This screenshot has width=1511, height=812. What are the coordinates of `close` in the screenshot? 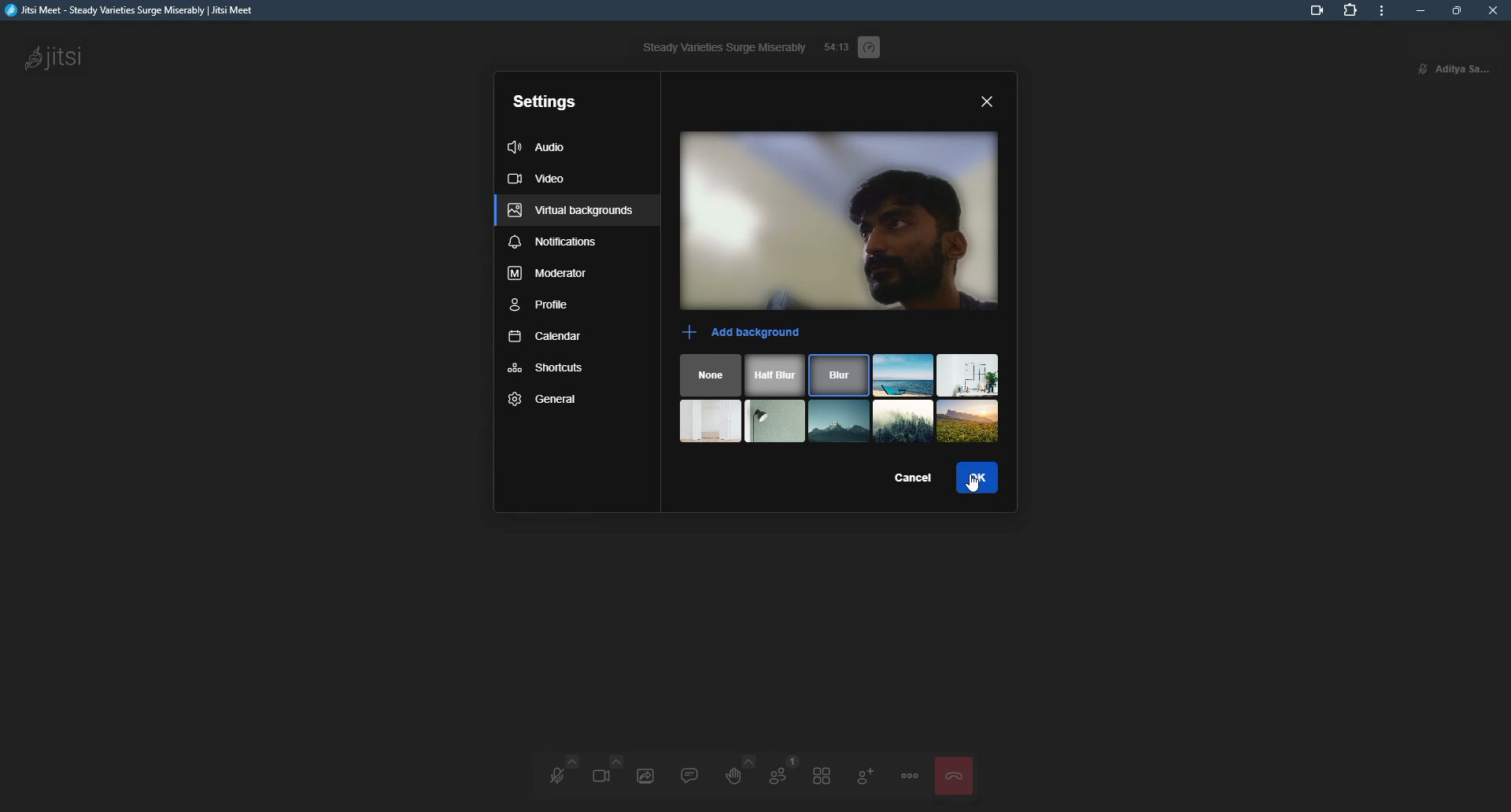 It's located at (1492, 10).